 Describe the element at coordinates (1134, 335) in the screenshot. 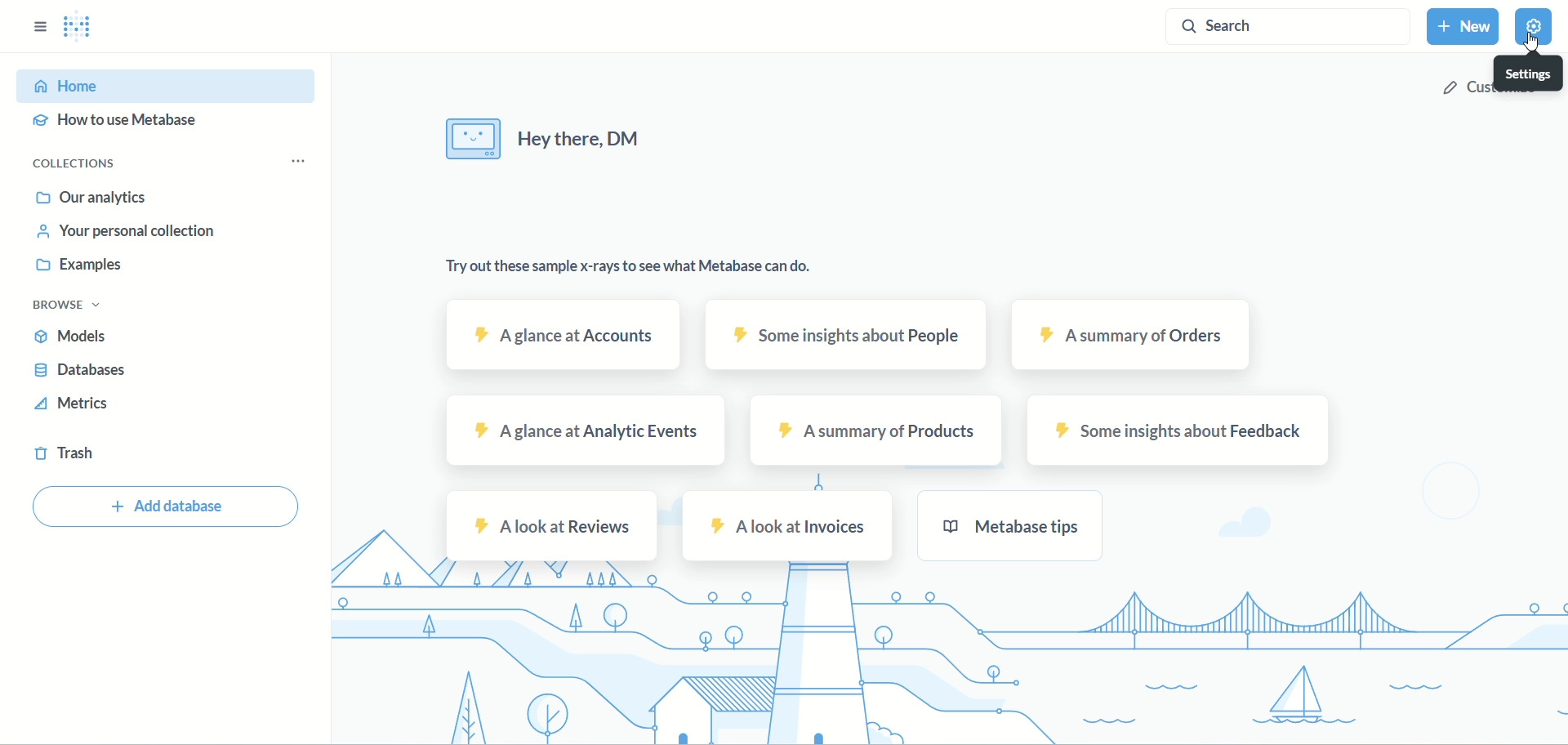

I see `orders` at that location.